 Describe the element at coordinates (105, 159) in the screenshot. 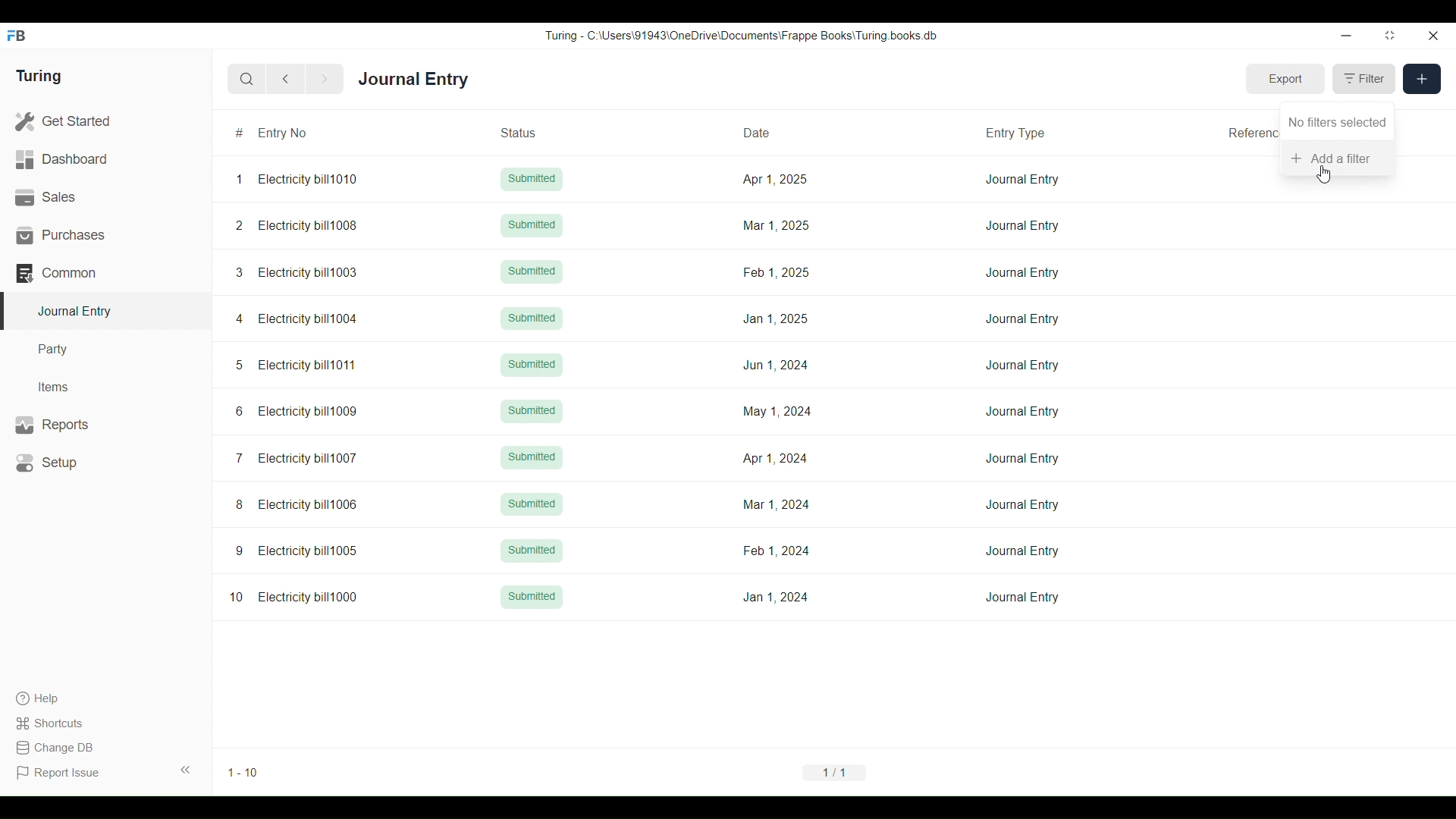

I see `Dashboard` at that location.